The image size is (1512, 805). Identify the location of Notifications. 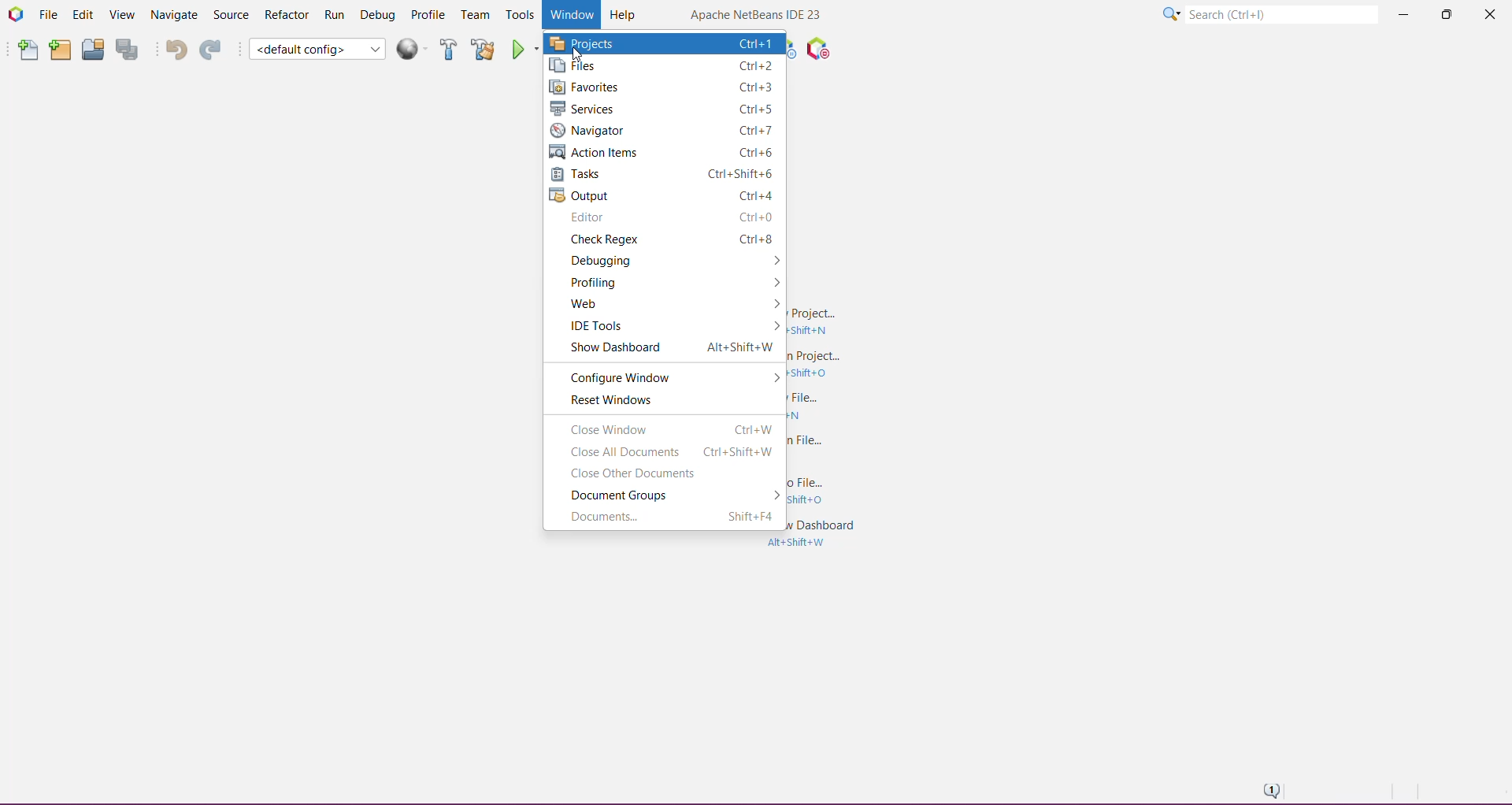
(1269, 789).